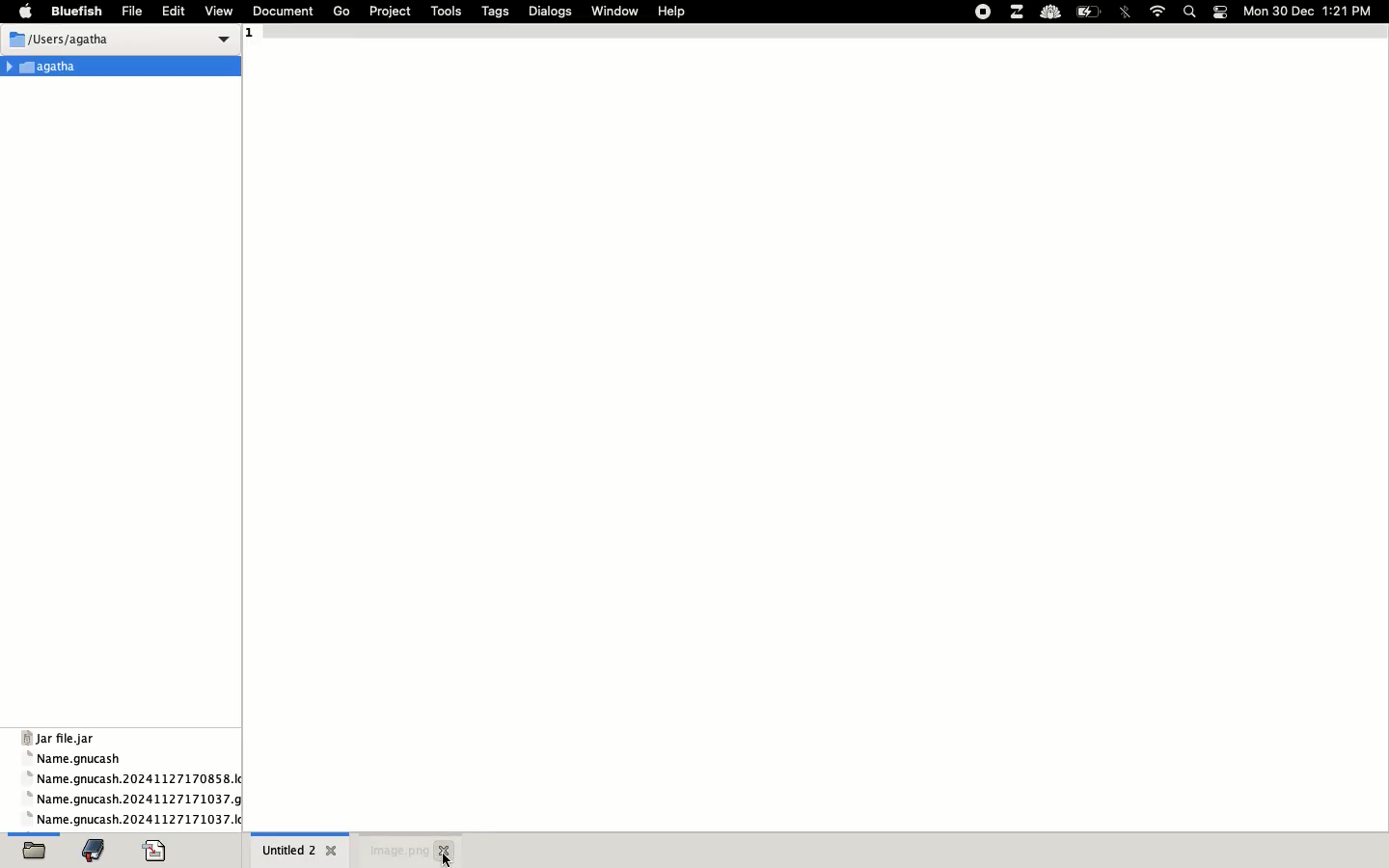 This screenshot has width=1389, height=868. Describe the element at coordinates (1090, 12) in the screenshot. I see `charge` at that location.